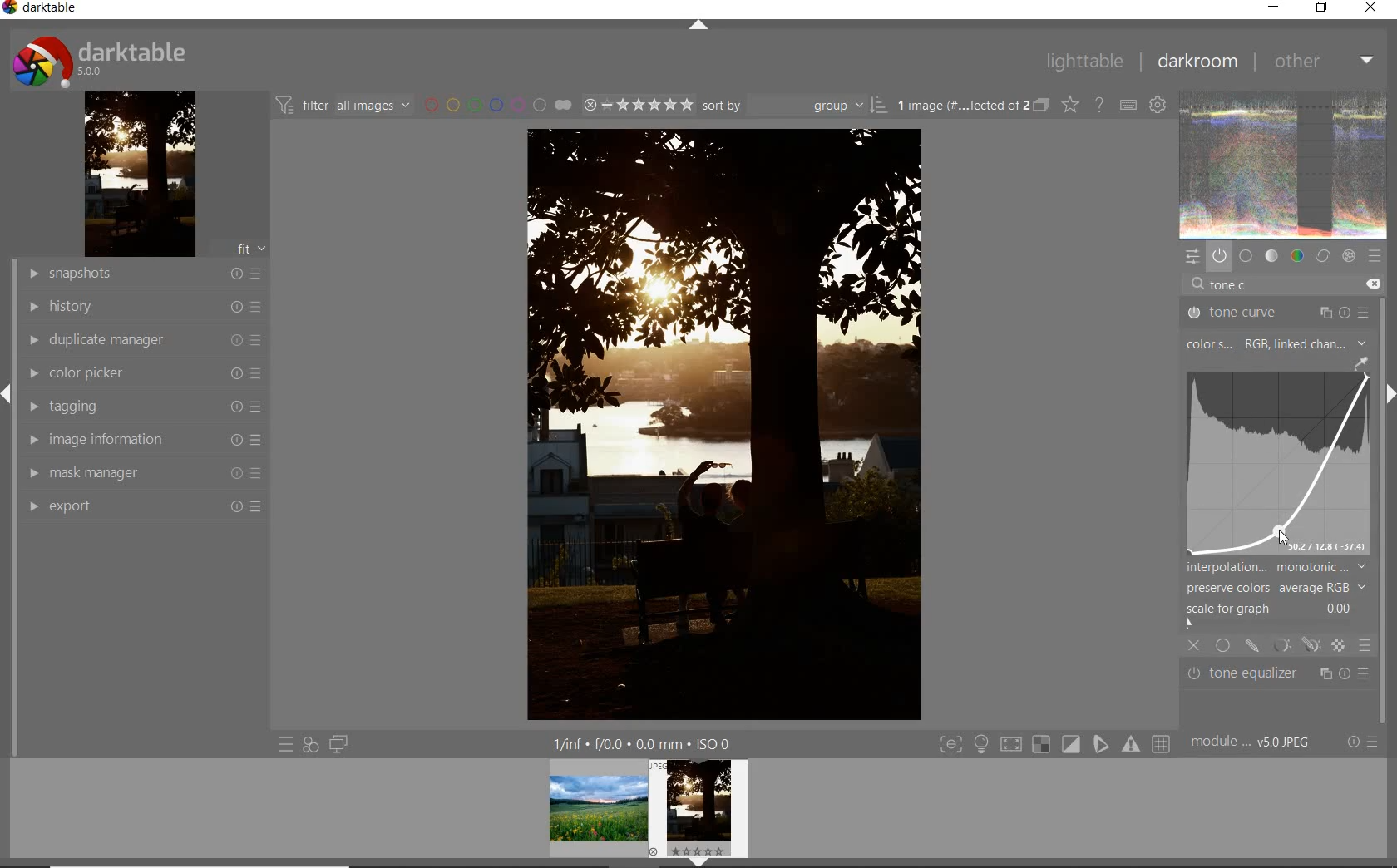 The width and height of the screenshot is (1397, 868). What do you see at coordinates (1292, 645) in the screenshot?
I see `mask options` at bounding box center [1292, 645].